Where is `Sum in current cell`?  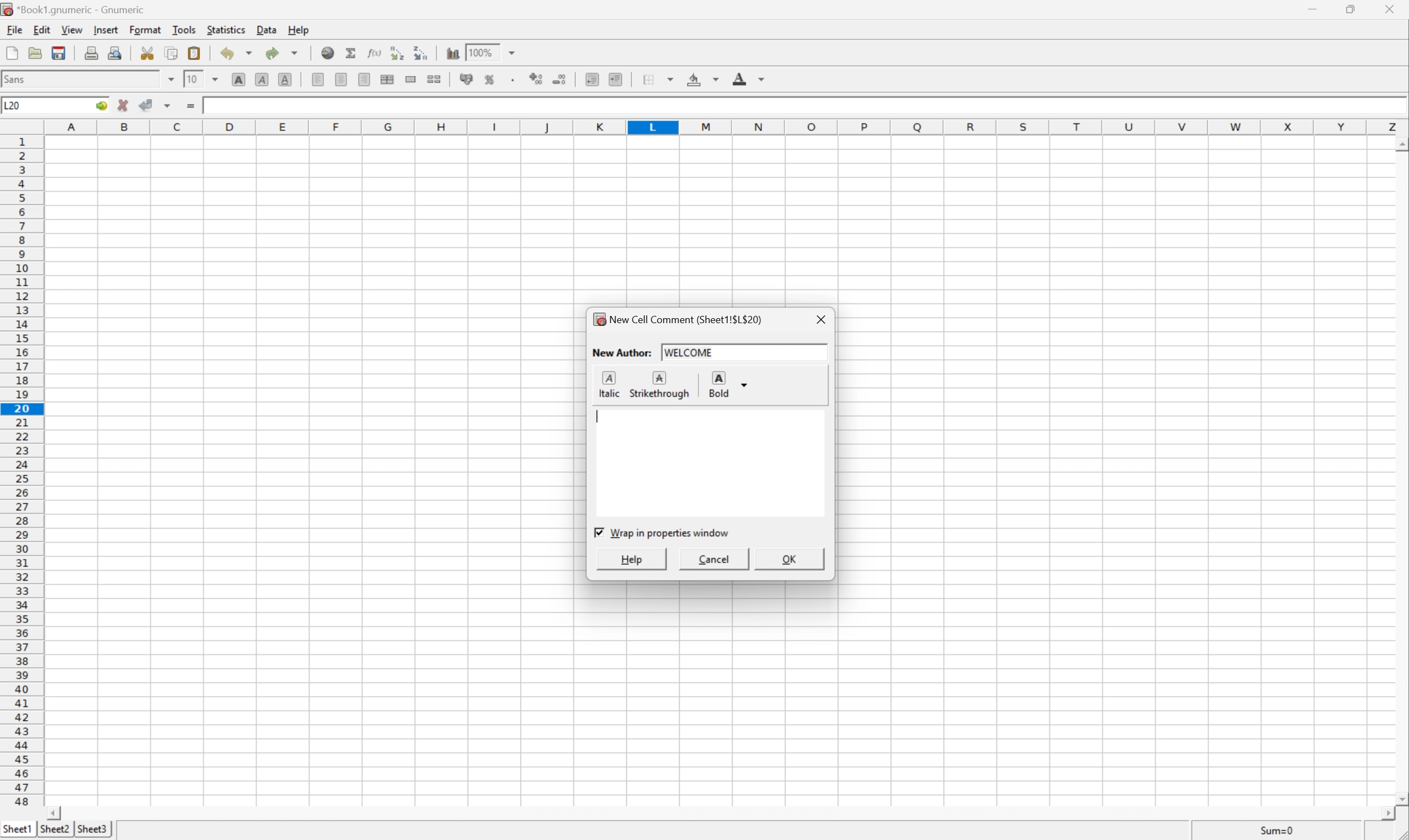
Sum in current cell is located at coordinates (352, 52).